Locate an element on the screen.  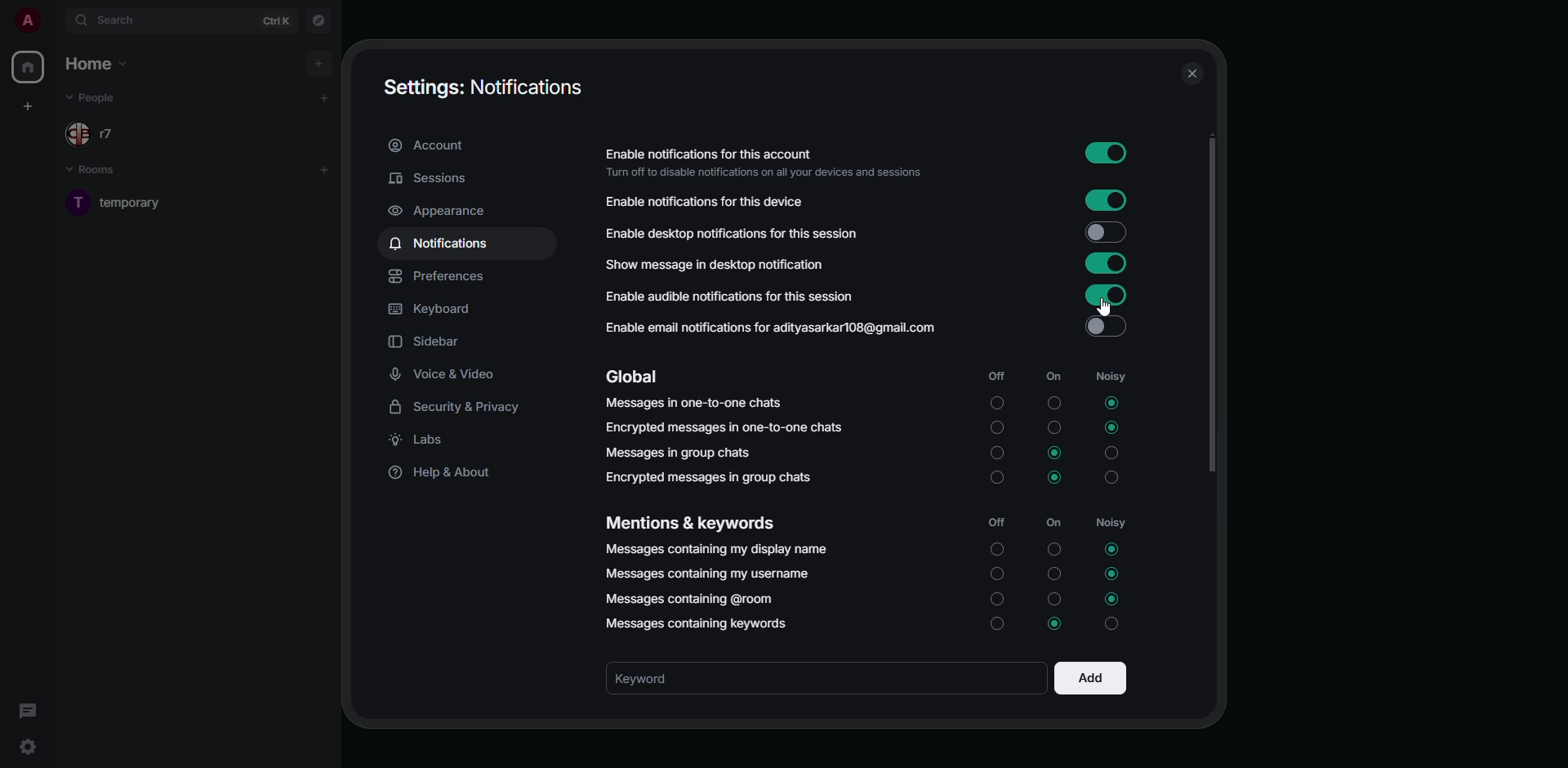
enable notifications for this account is located at coordinates (764, 161).